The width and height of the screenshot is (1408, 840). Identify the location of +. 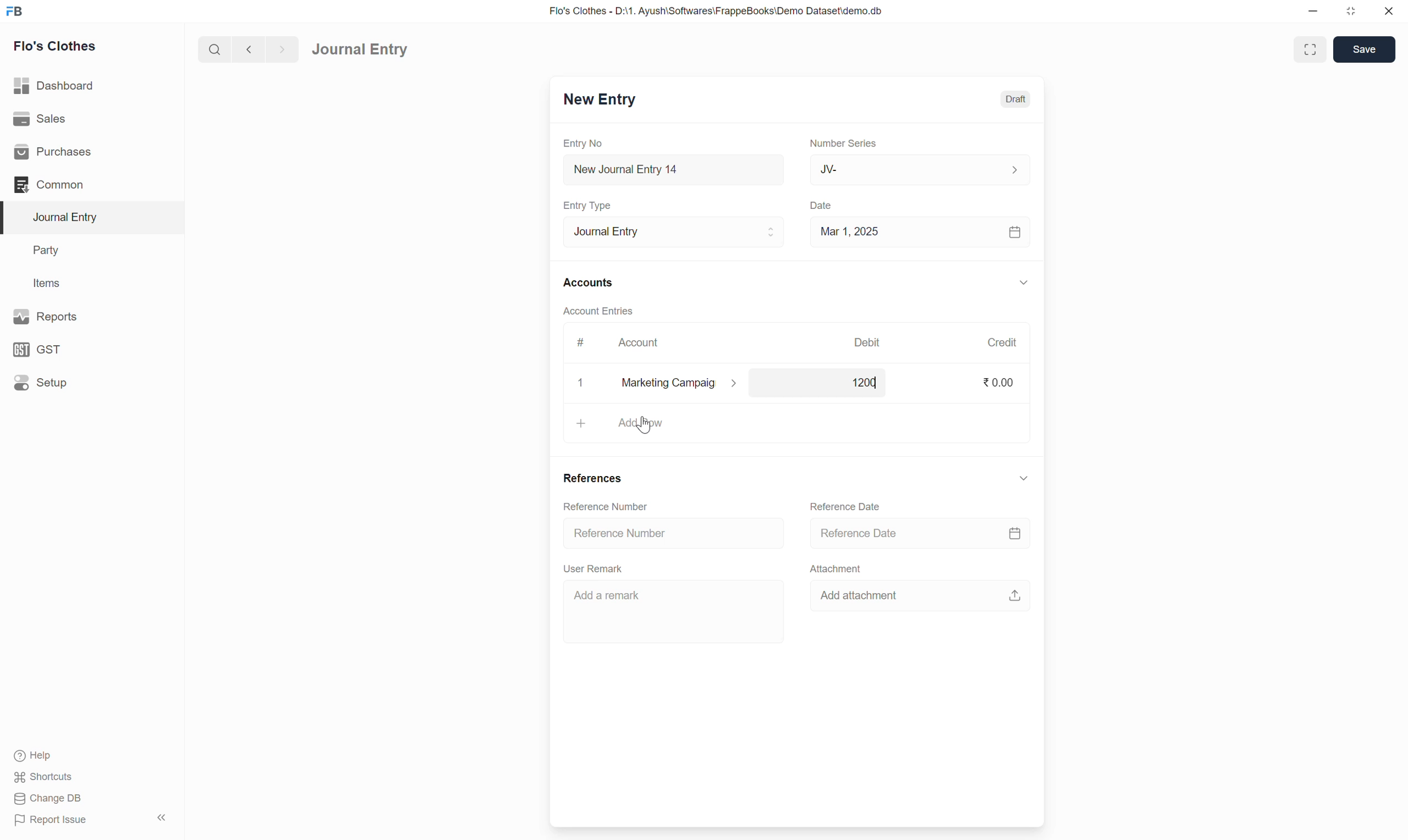
(582, 422).